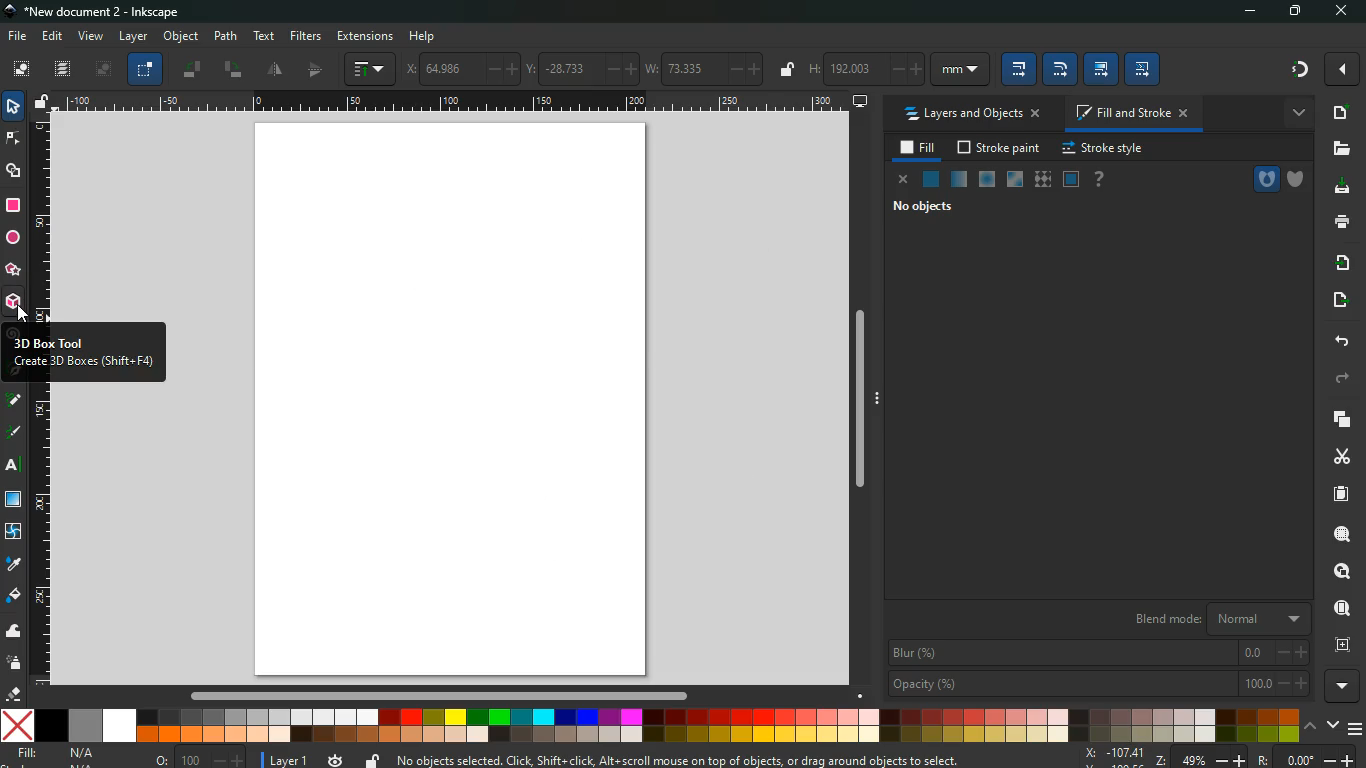 The height and width of the screenshot is (768, 1366). What do you see at coordinates (1097, 682) in the screenshot?
I see `opacity` at bounding box center [1097, 682].